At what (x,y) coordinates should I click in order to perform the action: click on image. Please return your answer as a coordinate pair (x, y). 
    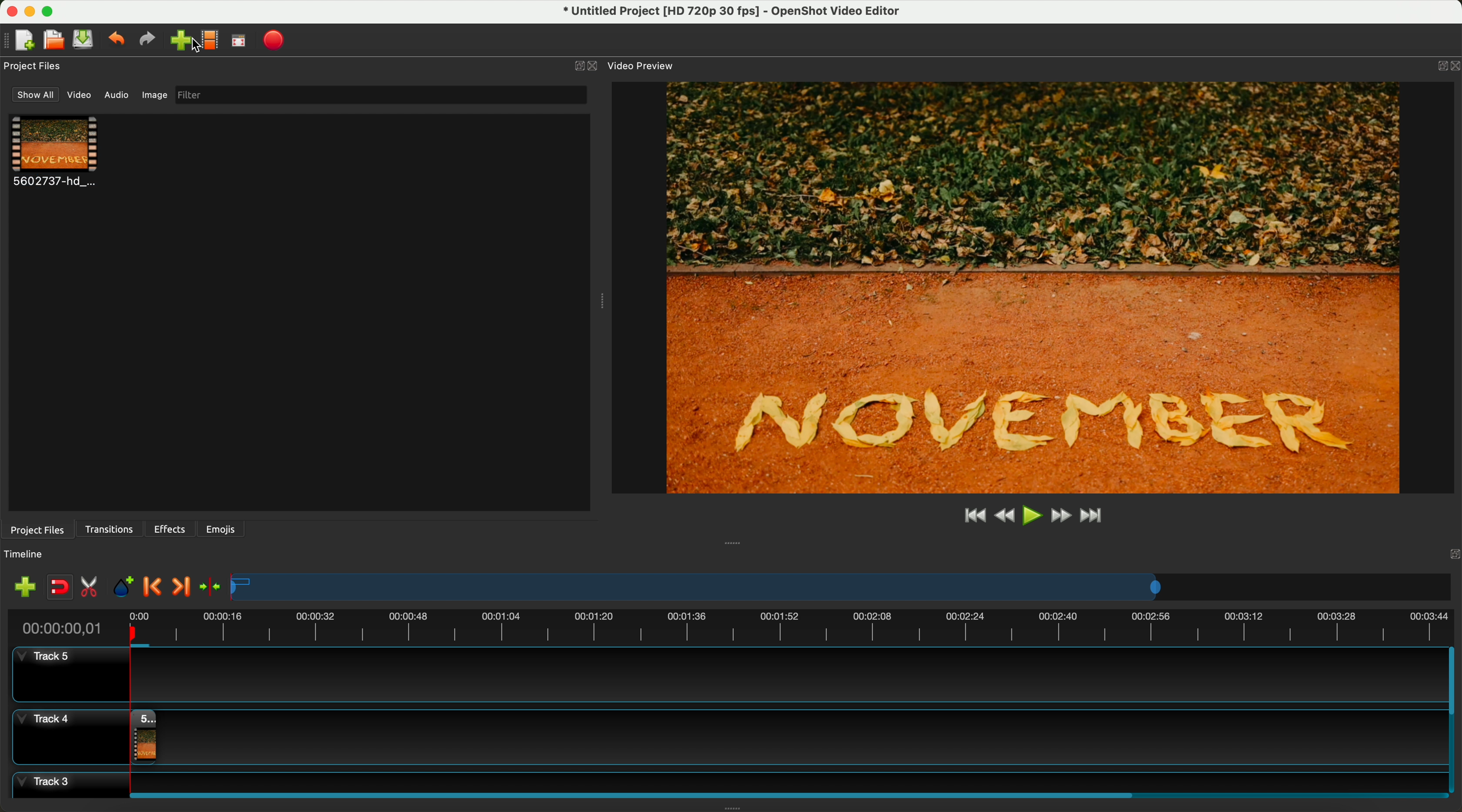
    Looking at the image, I should click on (153, 96).